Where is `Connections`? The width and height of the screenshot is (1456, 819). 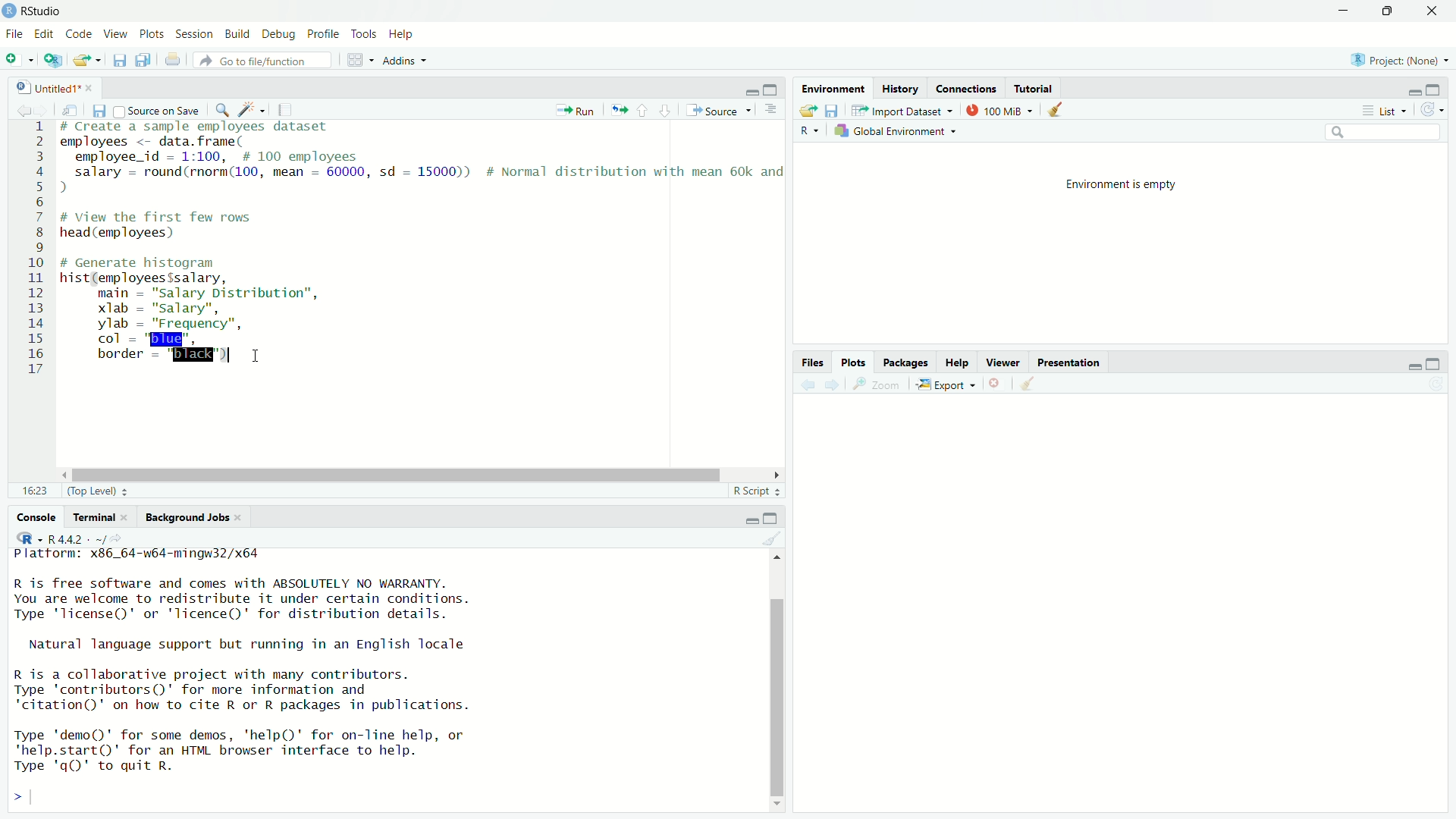
Connections is located at coordinates (968, 88).